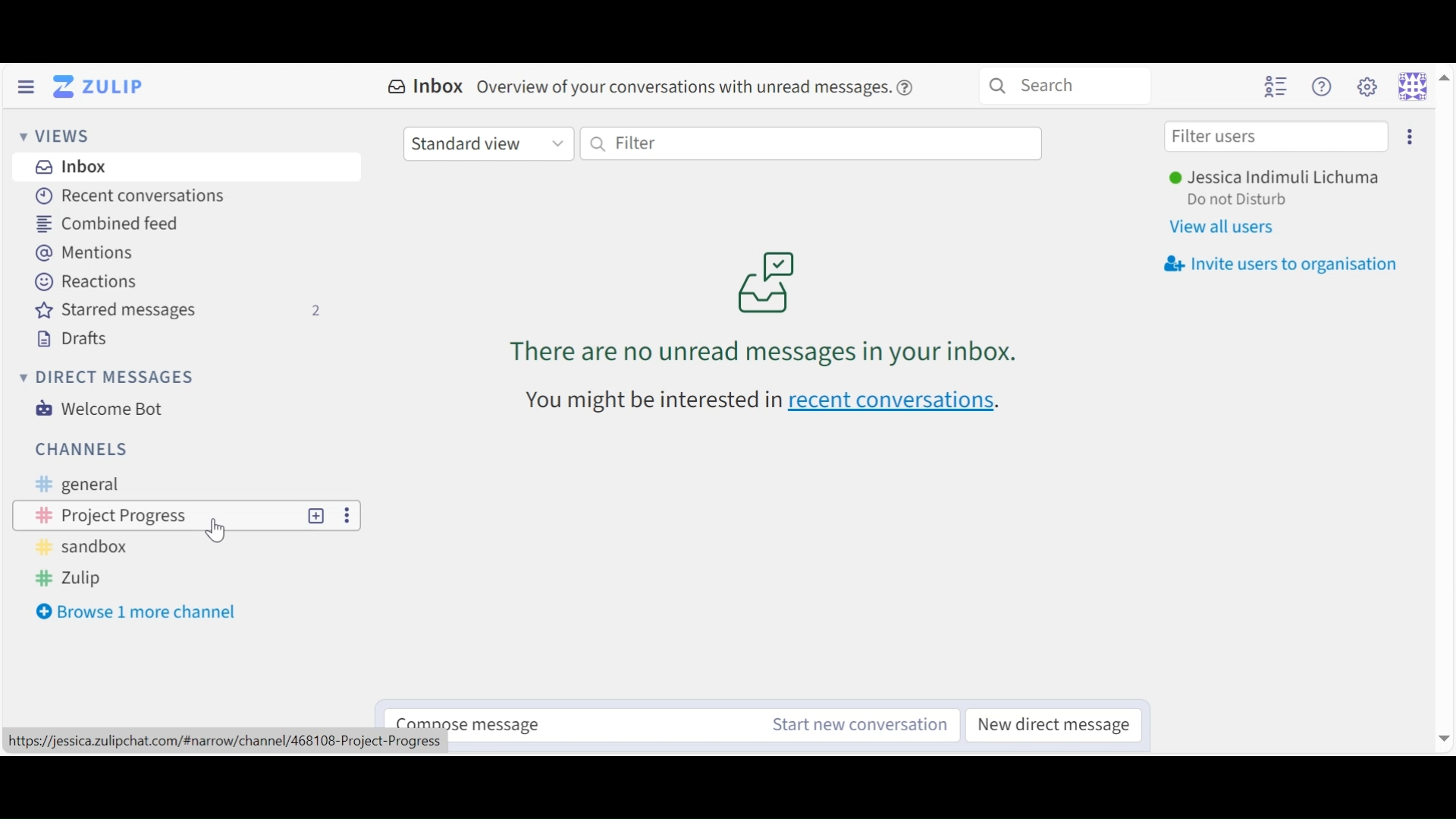  What do you see at coordinates (1238, 202) in the screenshot?
I see `Status` at bounding box center [1238, 202].